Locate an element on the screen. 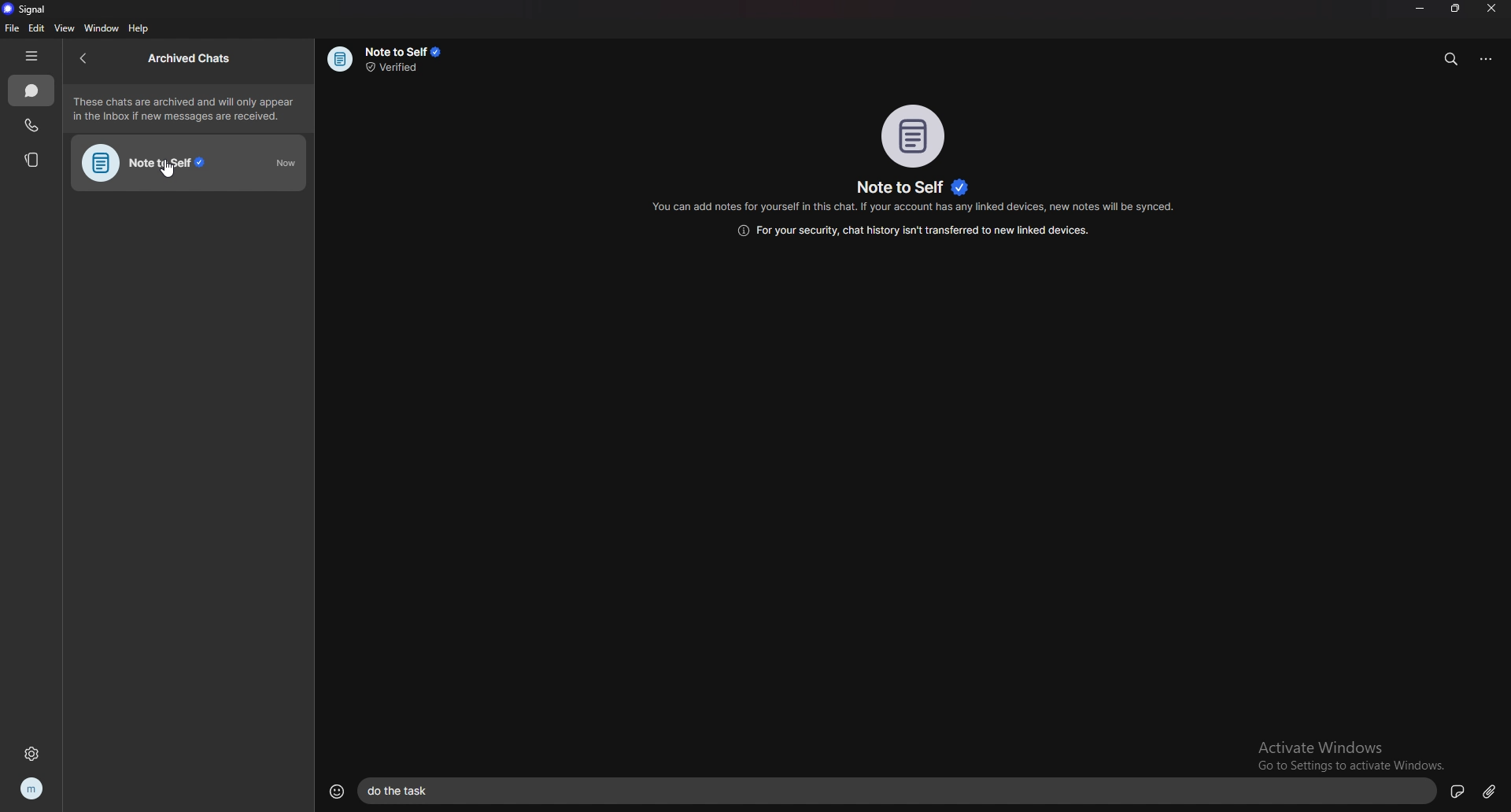 The image size is (1511, 812). file is located at coordinates (11, 28).